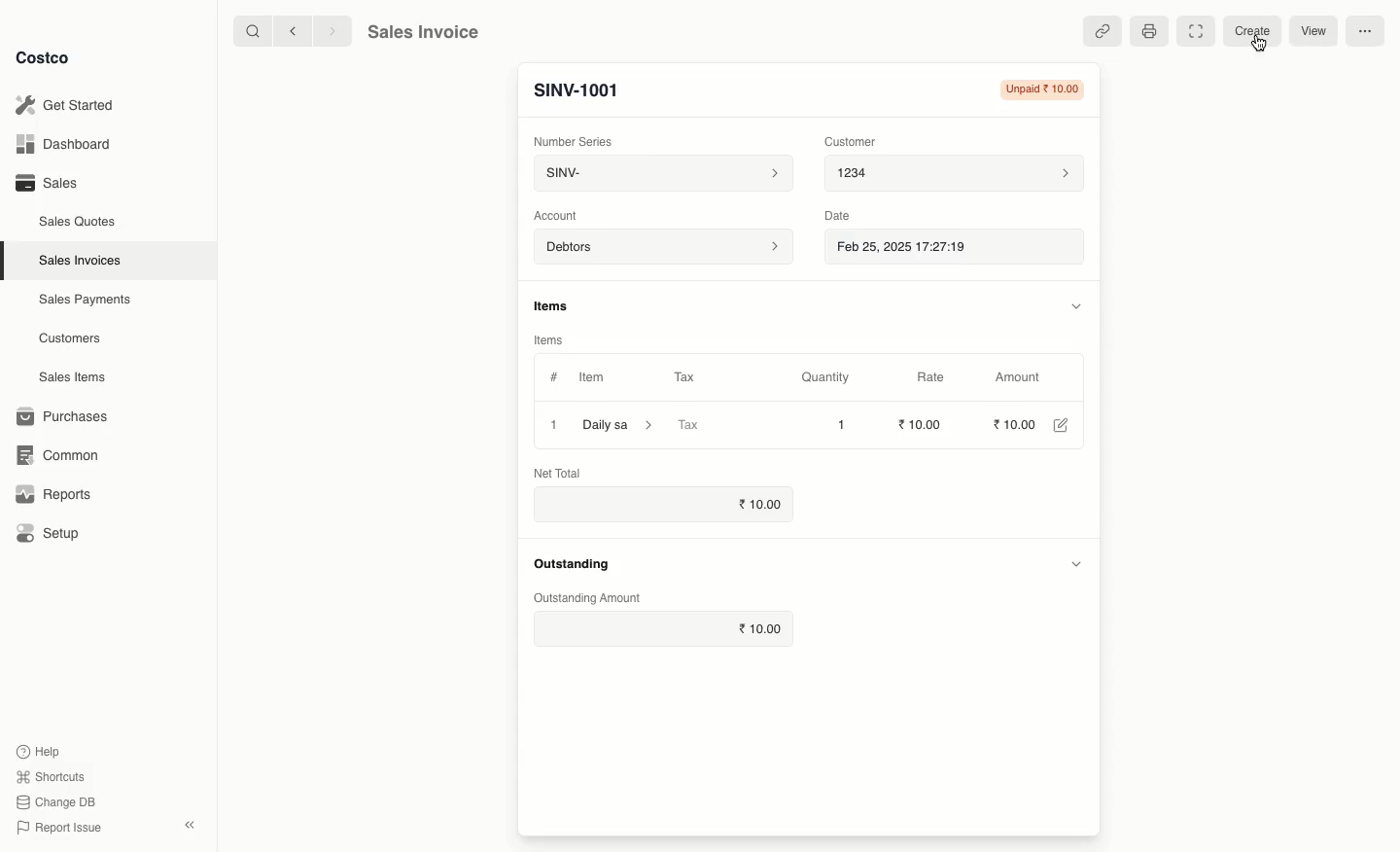  What do you see at coordinates (288, 33) in the screenshot?
I see `Back` at bounding box center [288, 33].